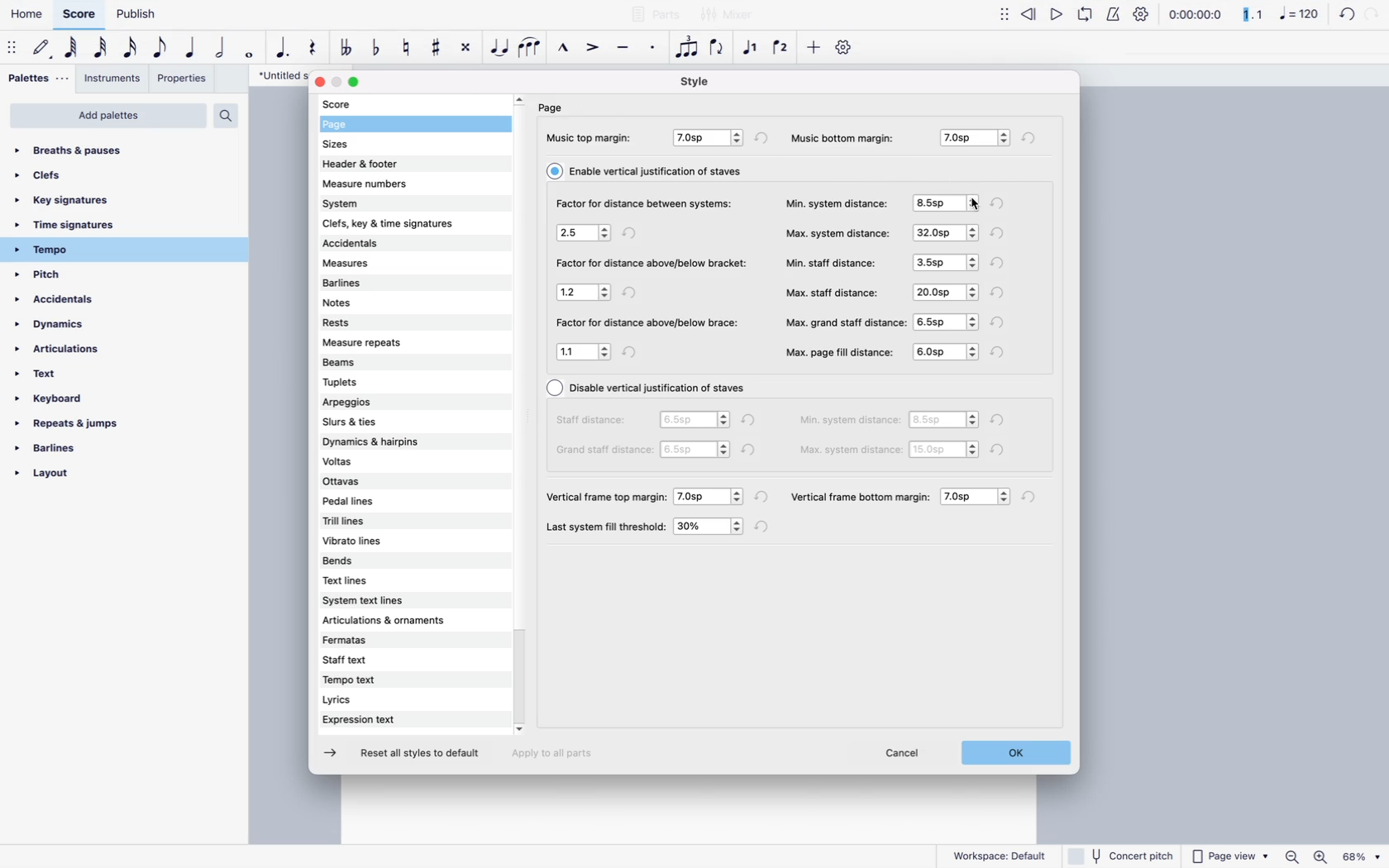  What do you see at coordinates (112, 78) in the screenshot?
I see `instruments` at bounding box center [112, 78].